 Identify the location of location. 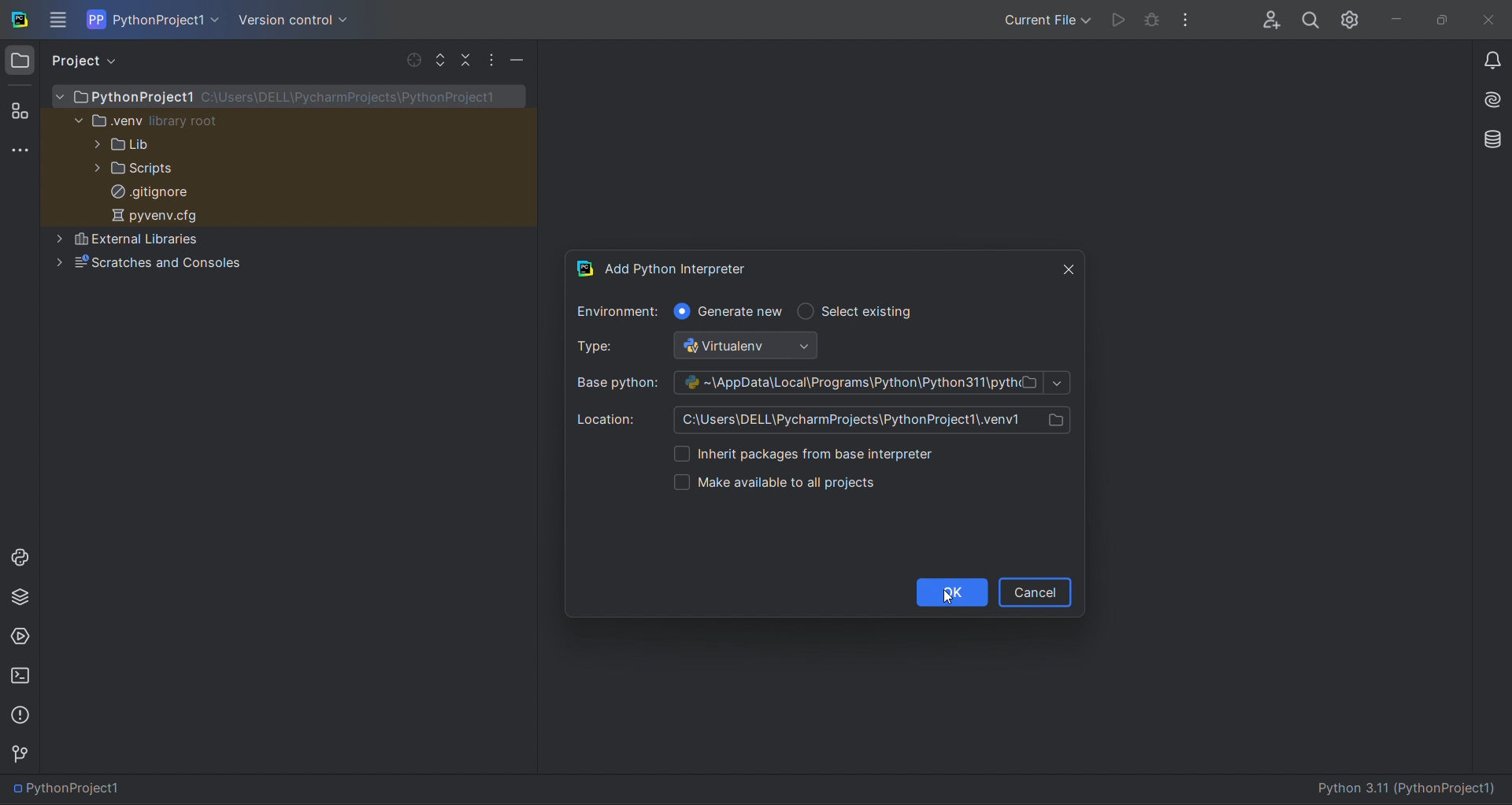
(831, 417).